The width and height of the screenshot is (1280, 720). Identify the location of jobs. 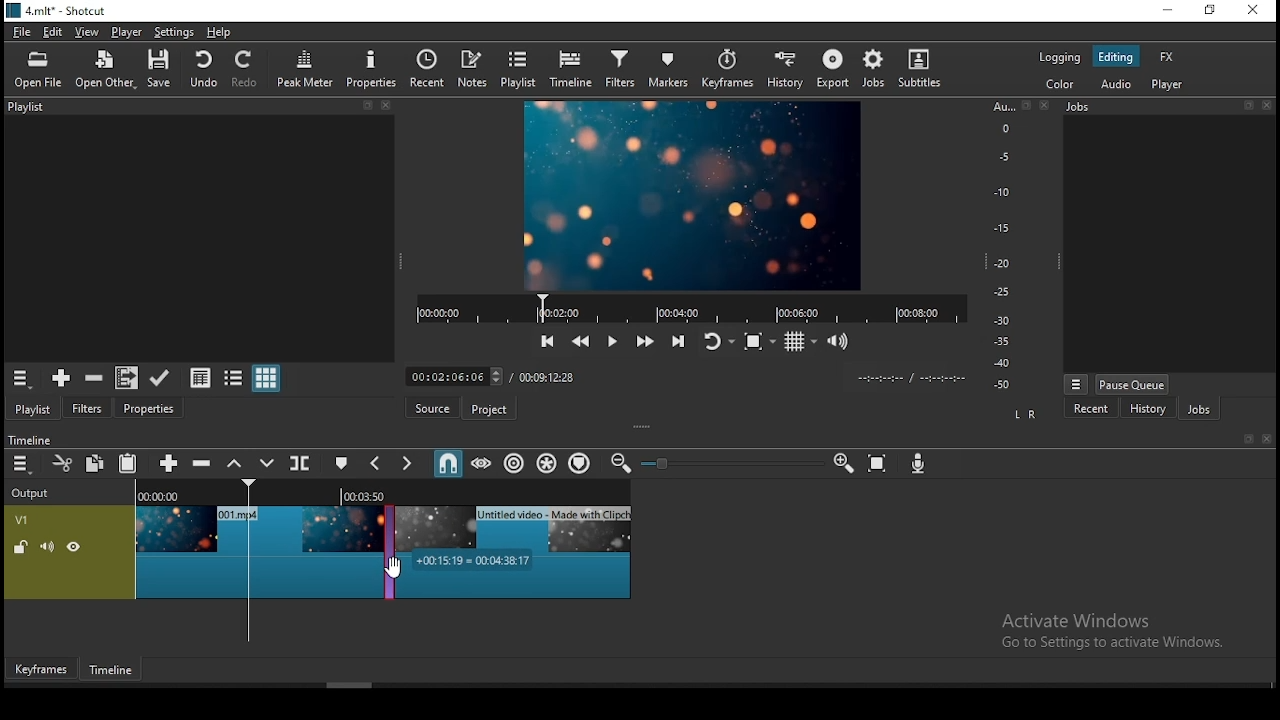
(871, 69).